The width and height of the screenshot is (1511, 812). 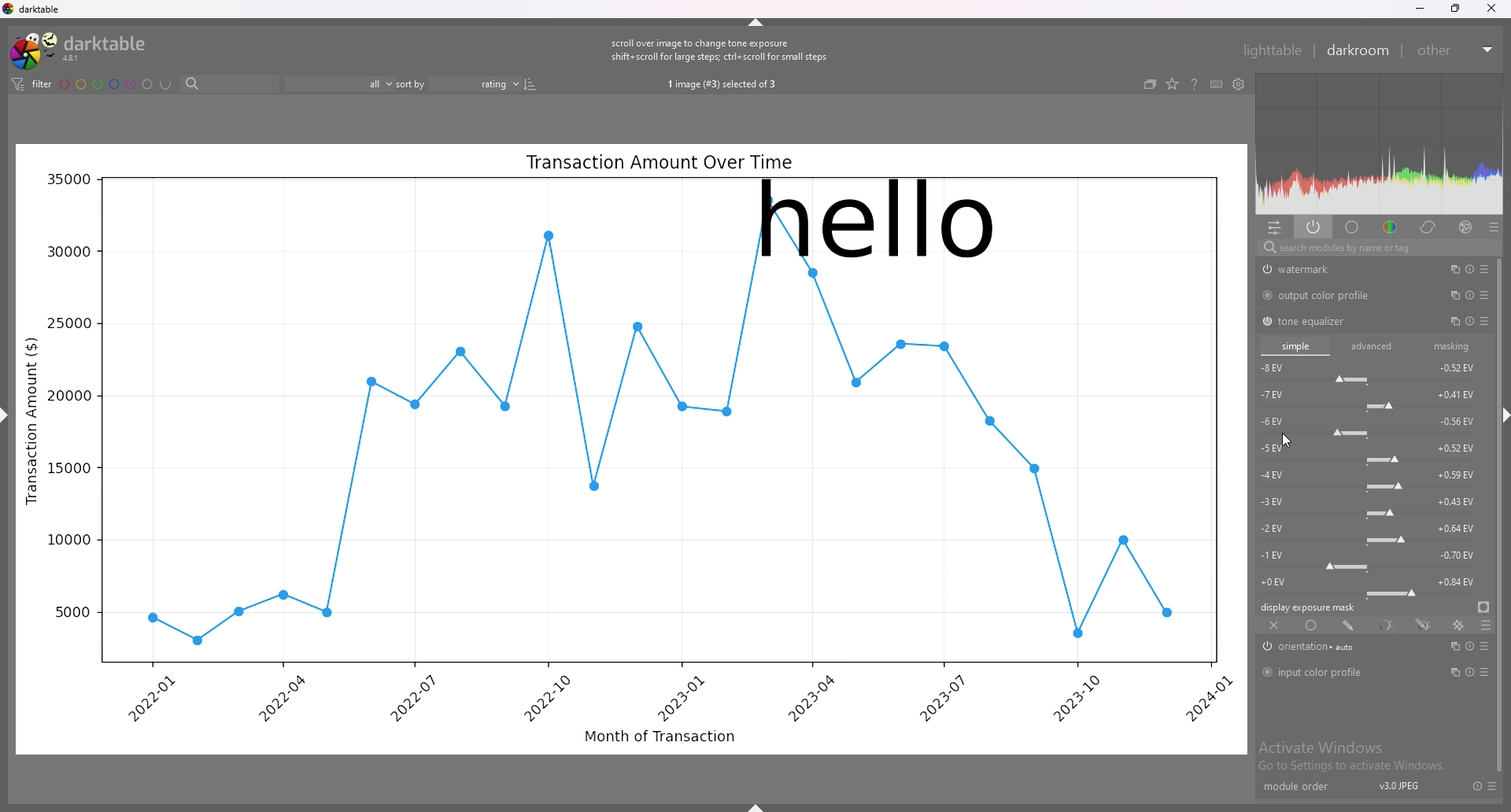 I want to click on 2022-07, so click(x=410, y=697).